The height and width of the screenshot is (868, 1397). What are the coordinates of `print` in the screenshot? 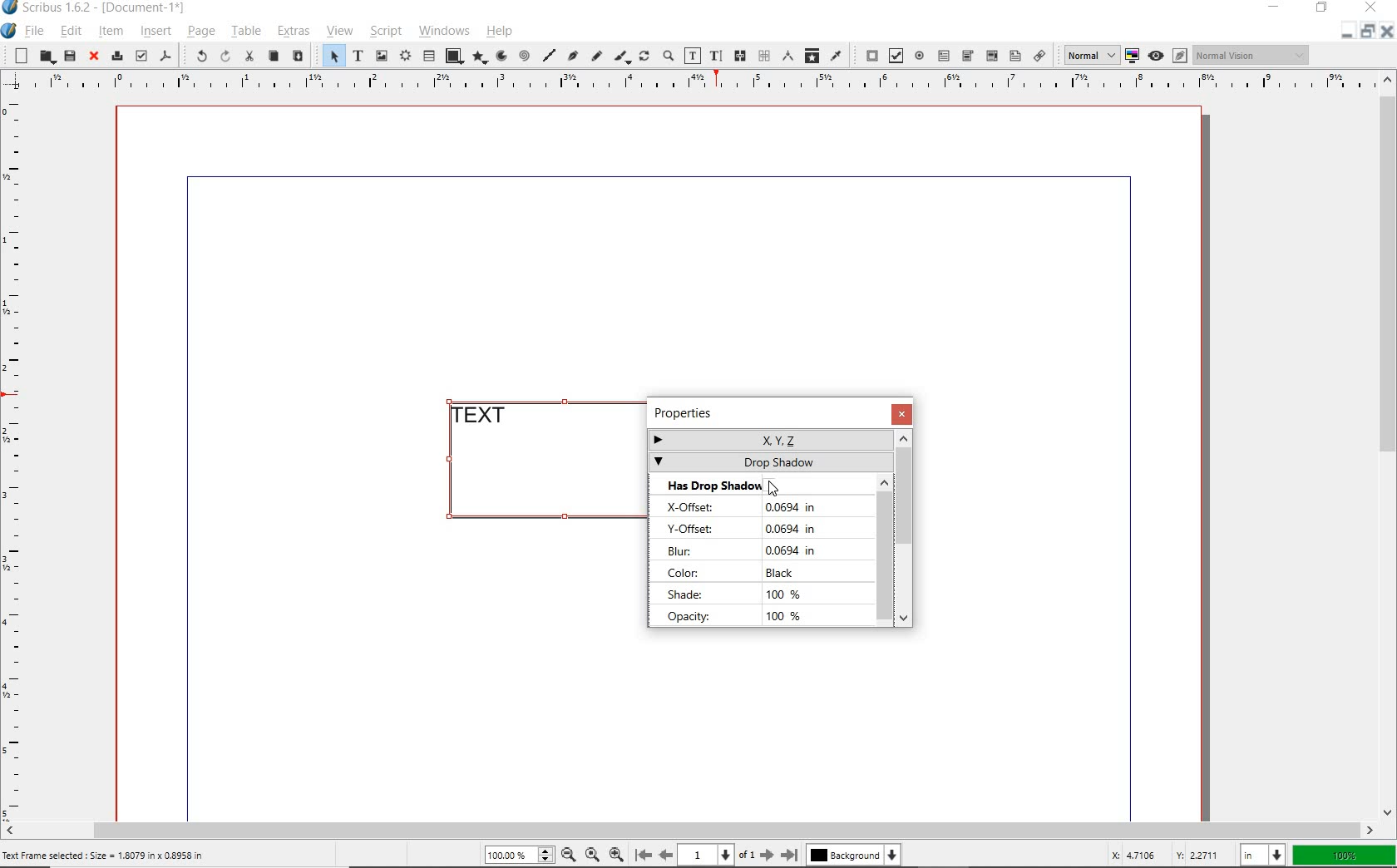 It's located at (116, 57).